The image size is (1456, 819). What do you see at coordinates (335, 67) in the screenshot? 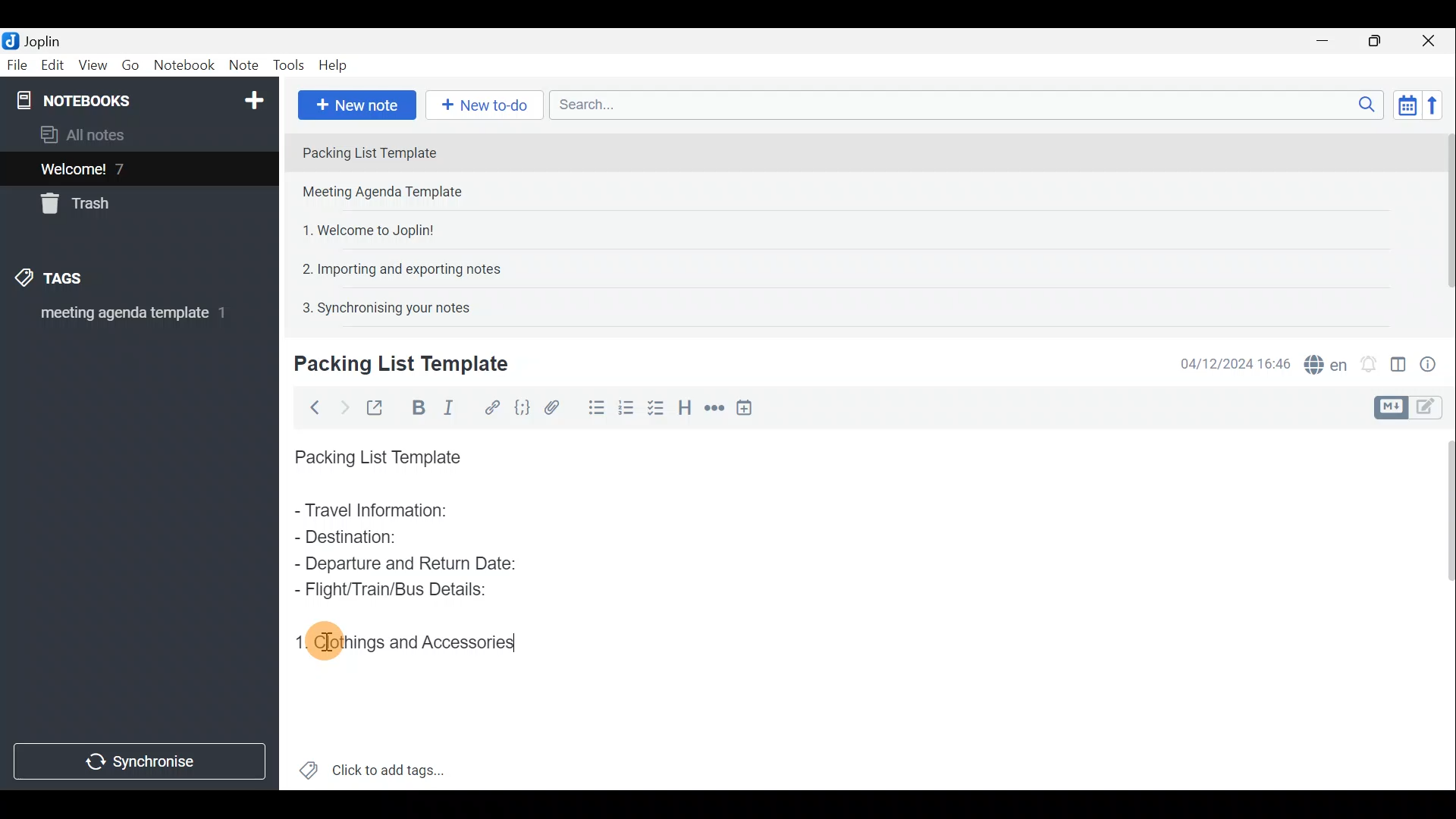
I see `Help` at bounding box center [335, 67].